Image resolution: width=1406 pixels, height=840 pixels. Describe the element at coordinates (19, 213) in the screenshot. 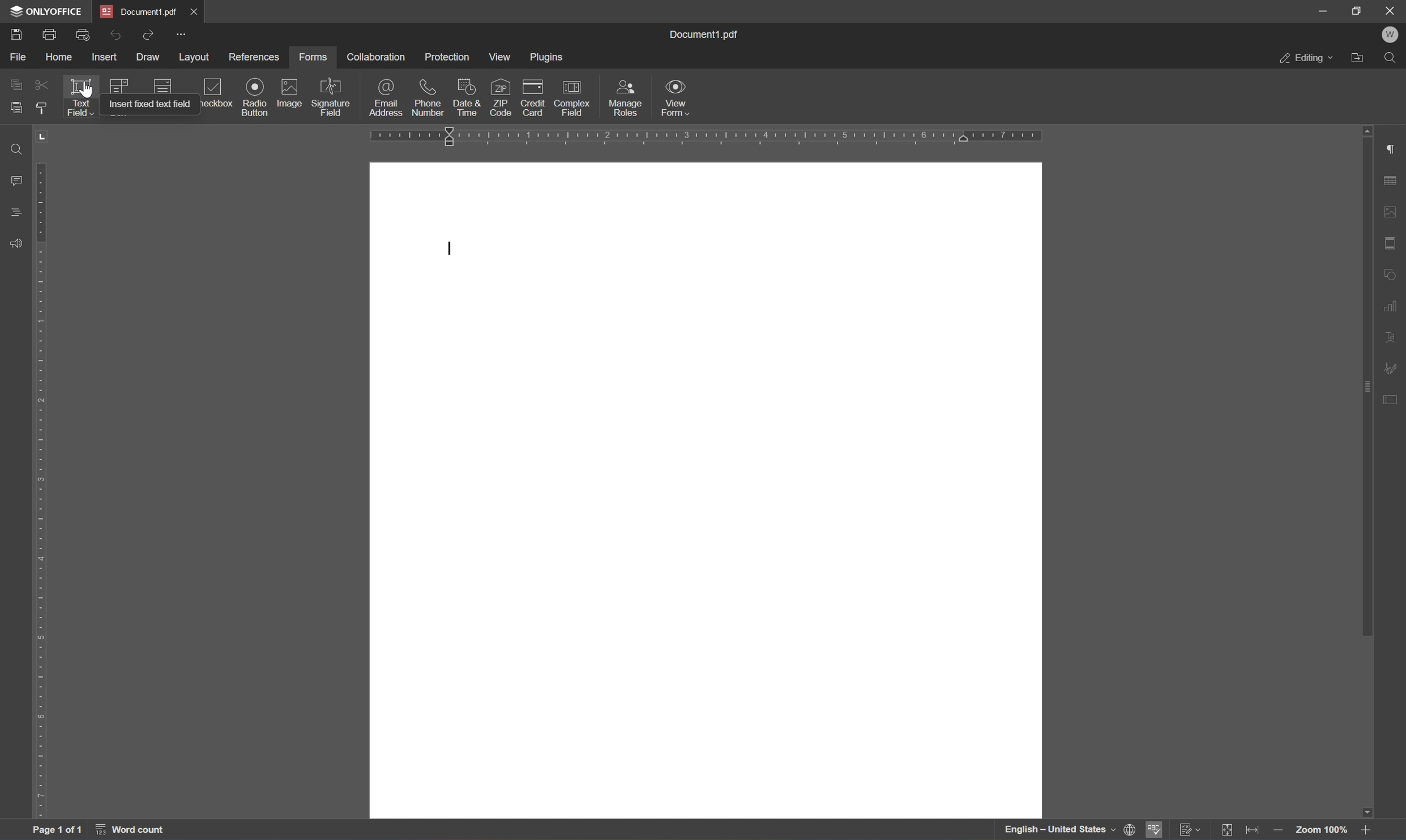

I see `headings` at that location.